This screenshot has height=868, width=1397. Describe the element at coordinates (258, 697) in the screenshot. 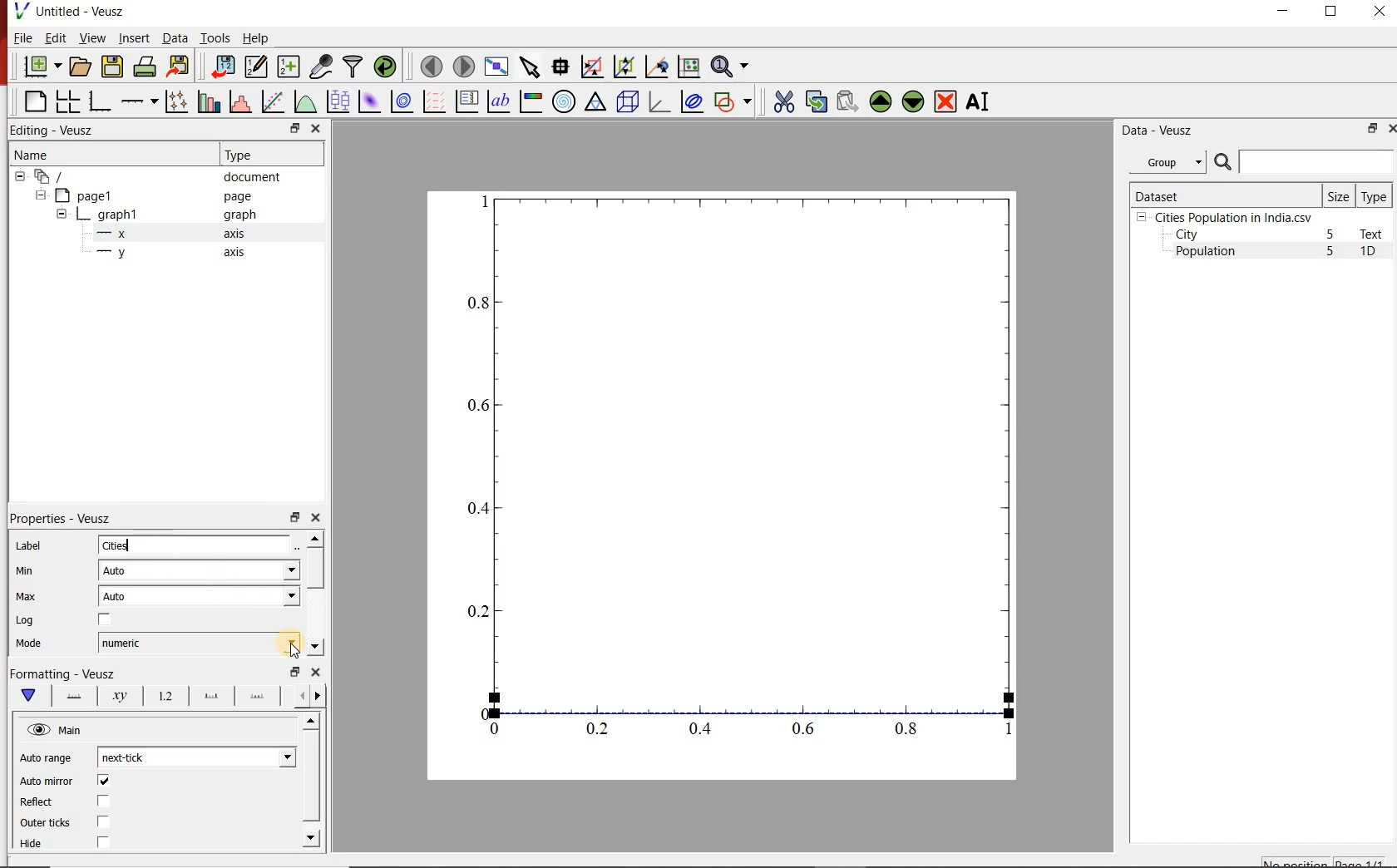

I see `minor ticks` at that location.